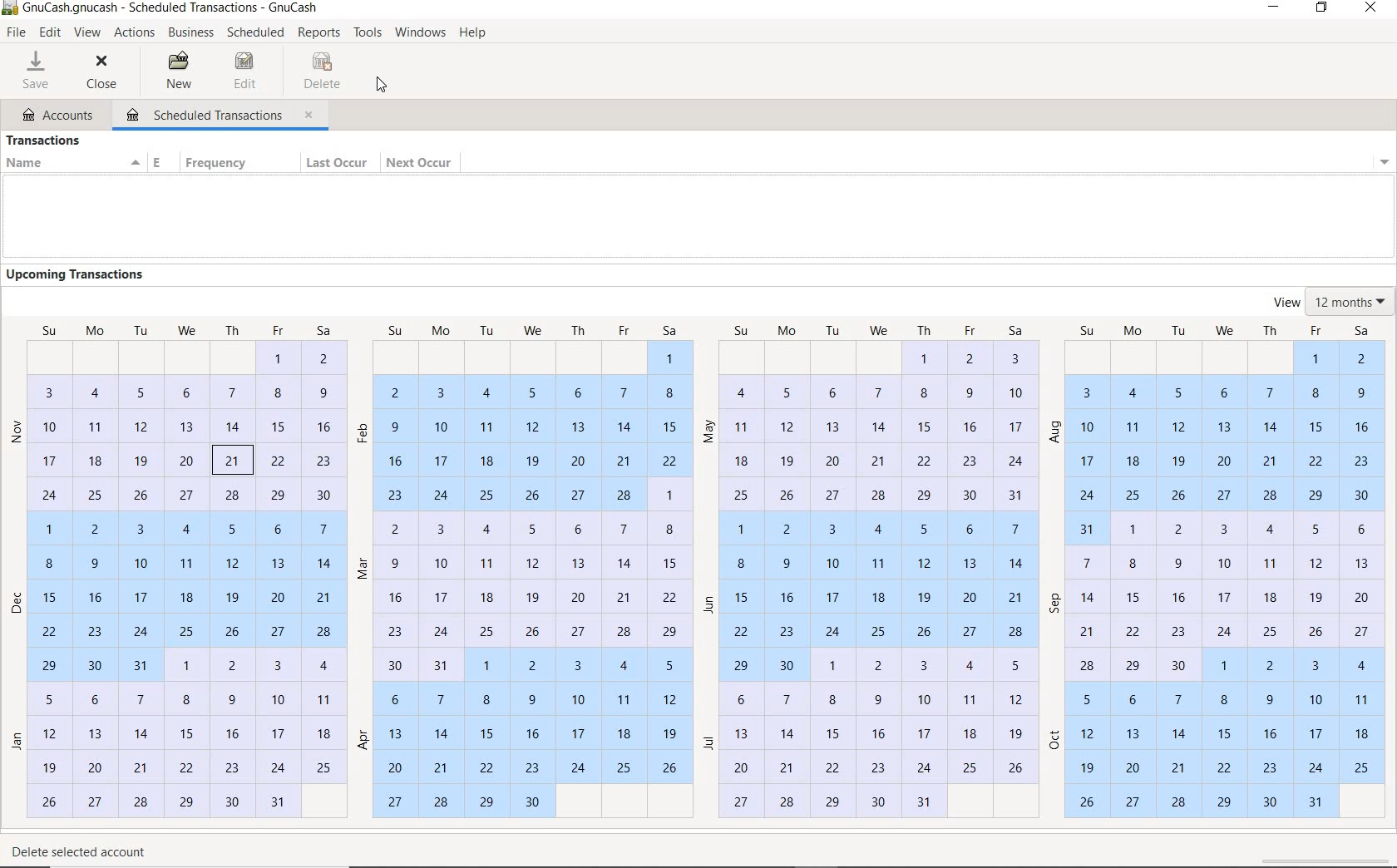  I want to click on CLOSE, so click(106, 75).